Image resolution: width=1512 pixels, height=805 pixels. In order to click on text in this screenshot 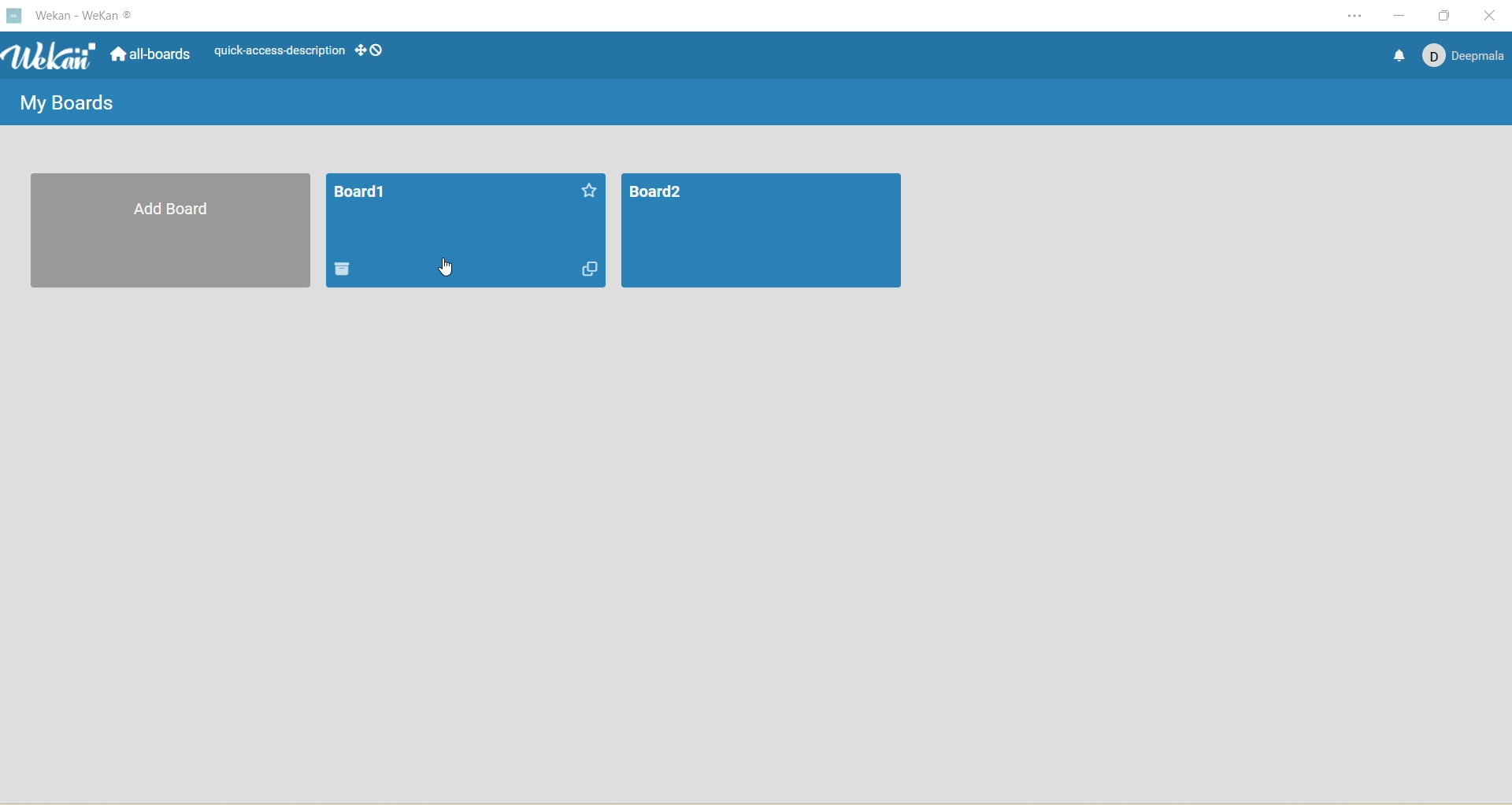, I will do `click(280, 52)`.